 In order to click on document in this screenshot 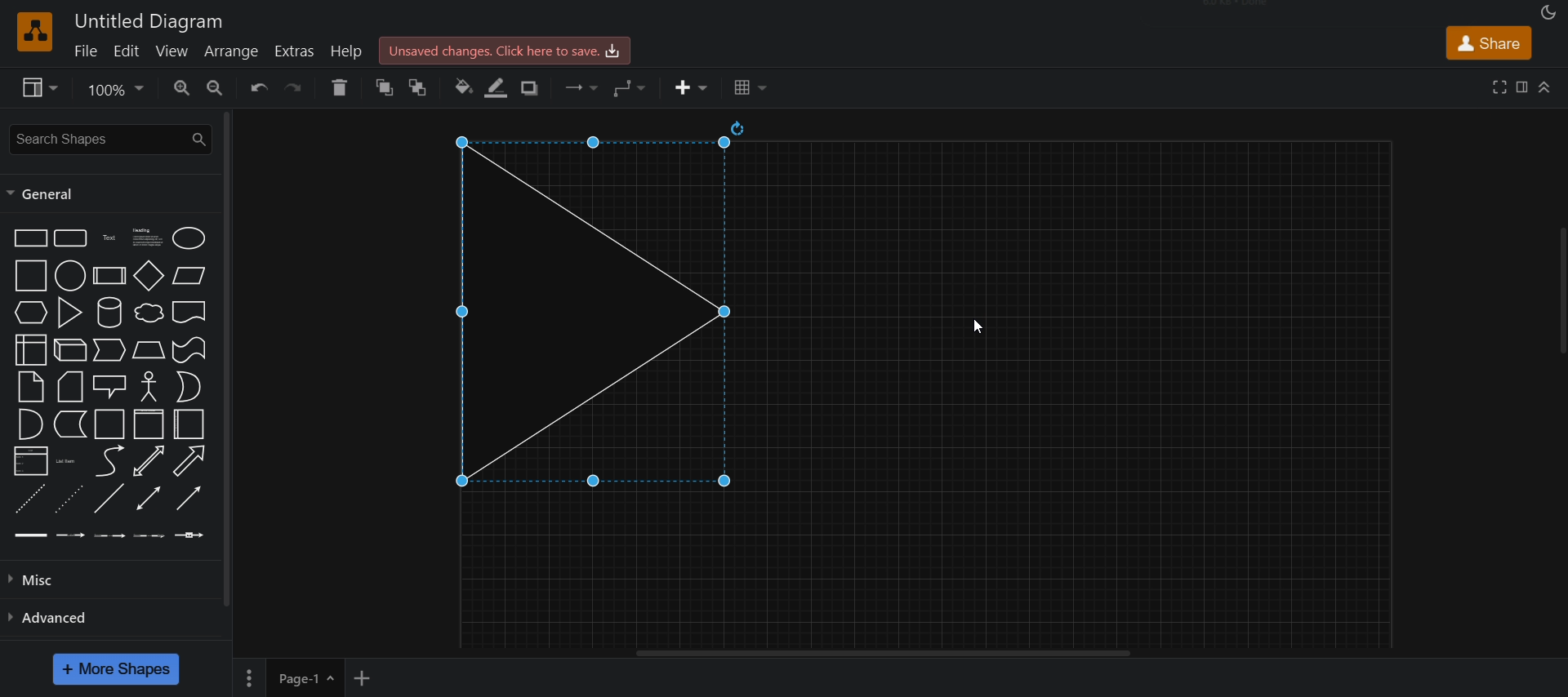, I will do `click(189, 313)`.